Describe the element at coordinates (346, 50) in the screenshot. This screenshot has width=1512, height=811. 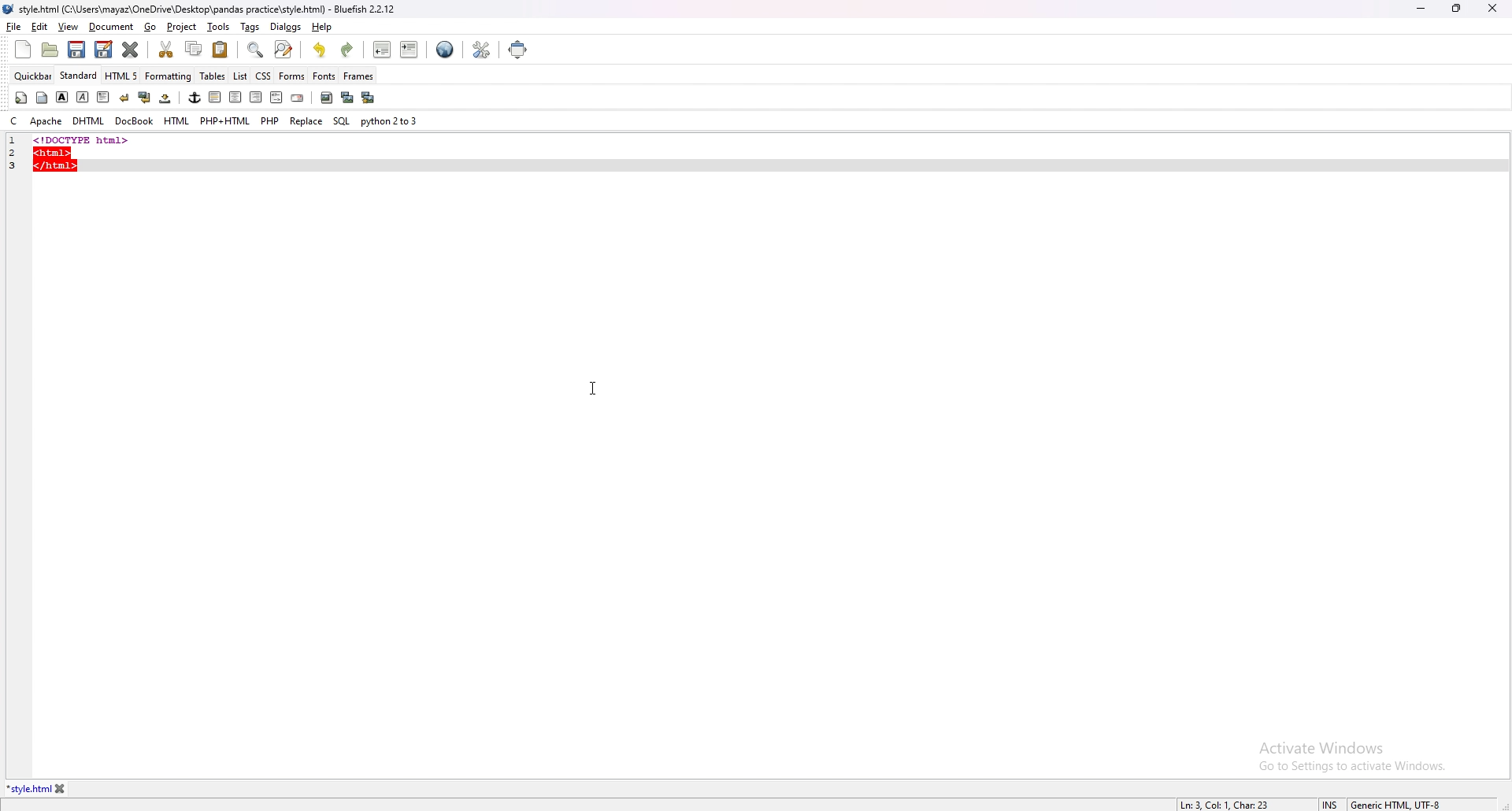
I see `redo` at that location.